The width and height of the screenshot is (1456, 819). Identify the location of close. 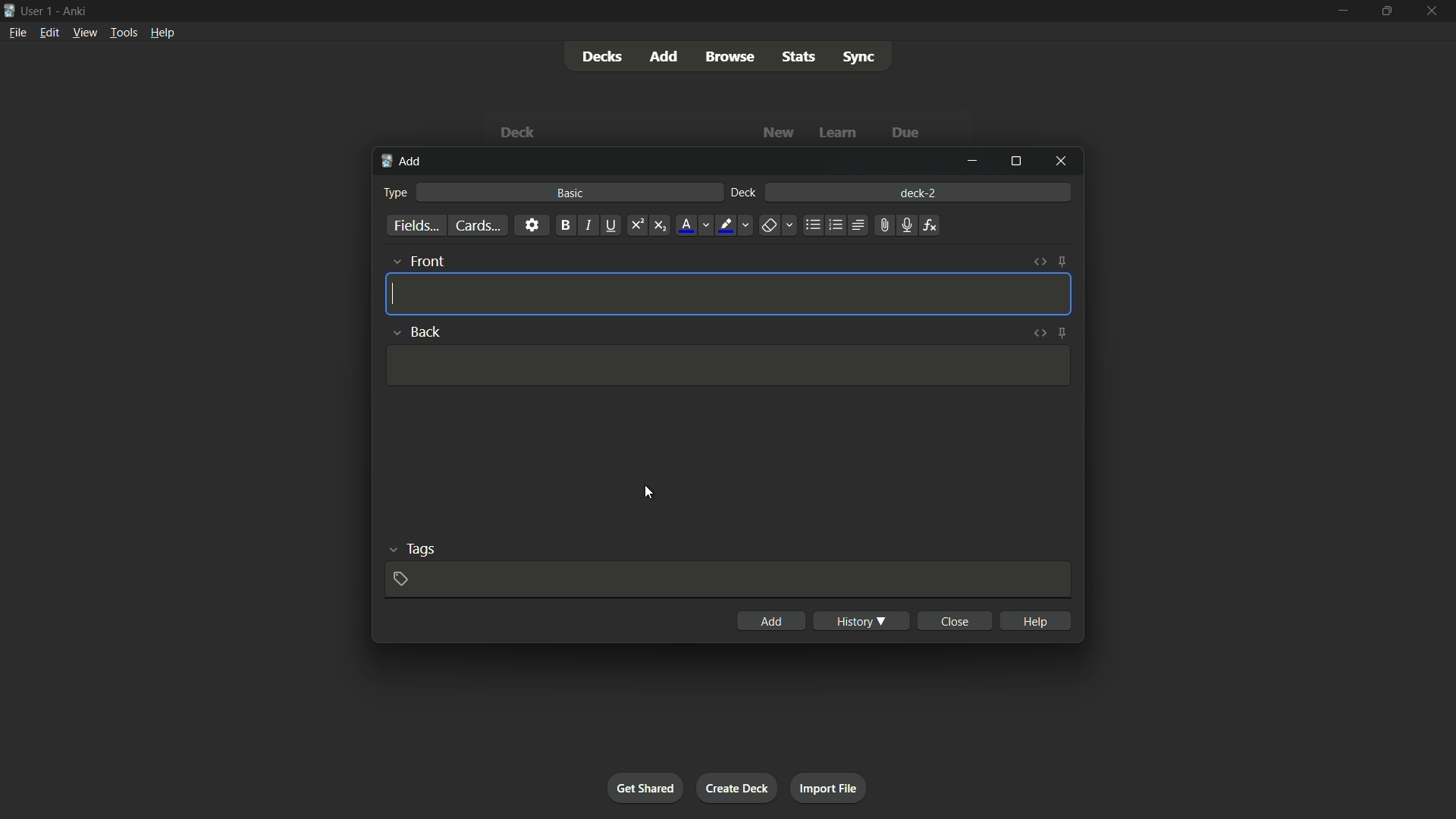
(954, 621).